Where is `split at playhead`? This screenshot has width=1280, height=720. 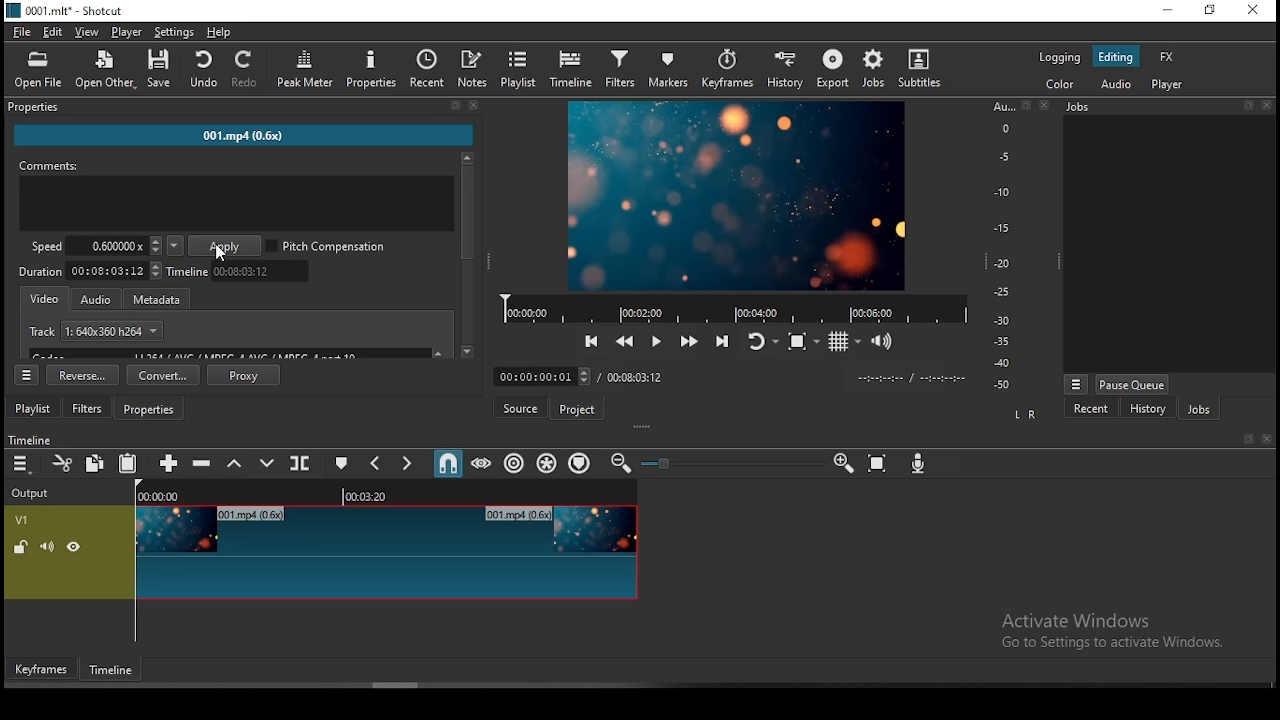 split at playhead is located at coordinates (299, 464).